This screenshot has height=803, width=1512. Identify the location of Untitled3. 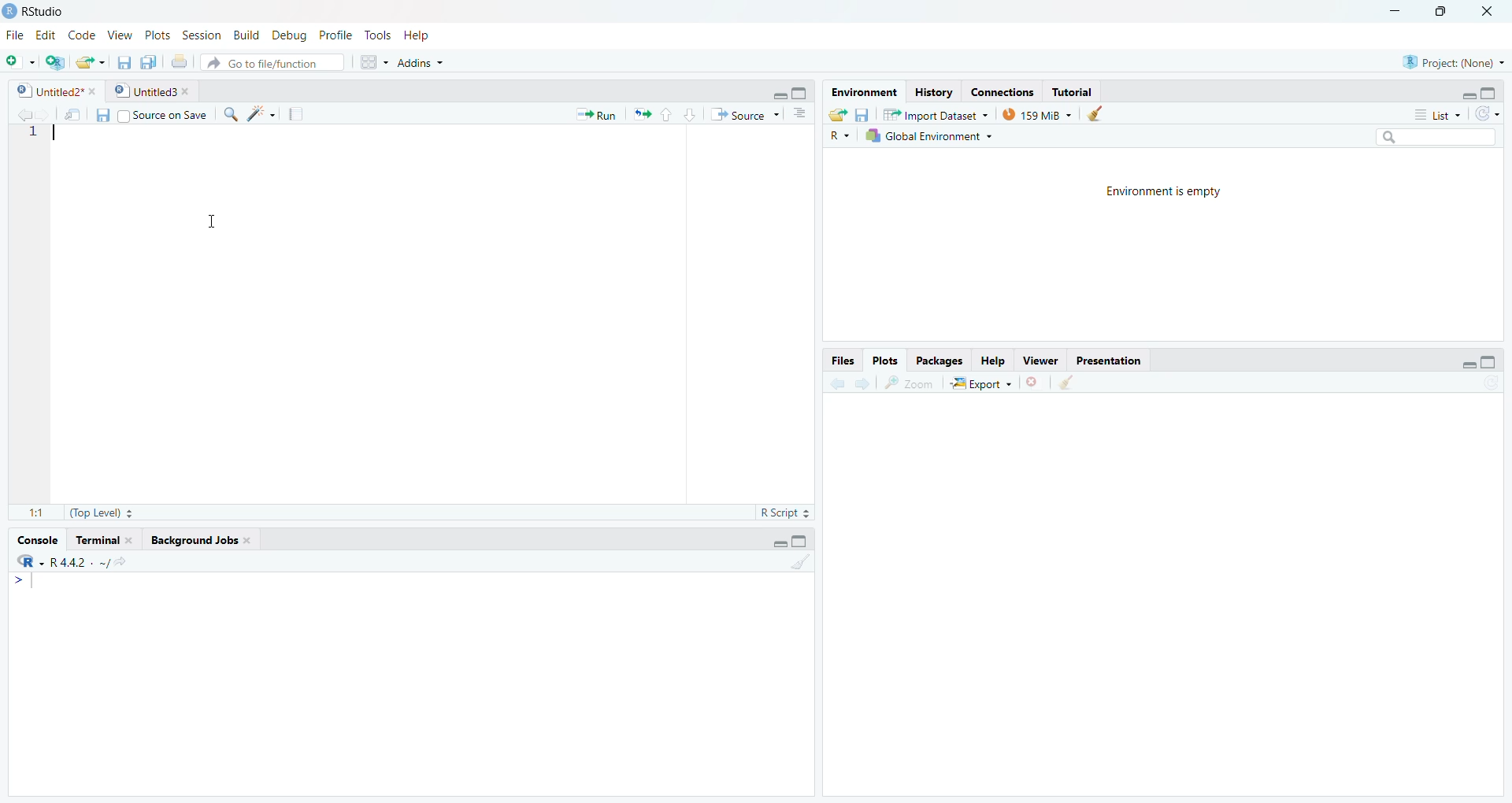
(154, 91).